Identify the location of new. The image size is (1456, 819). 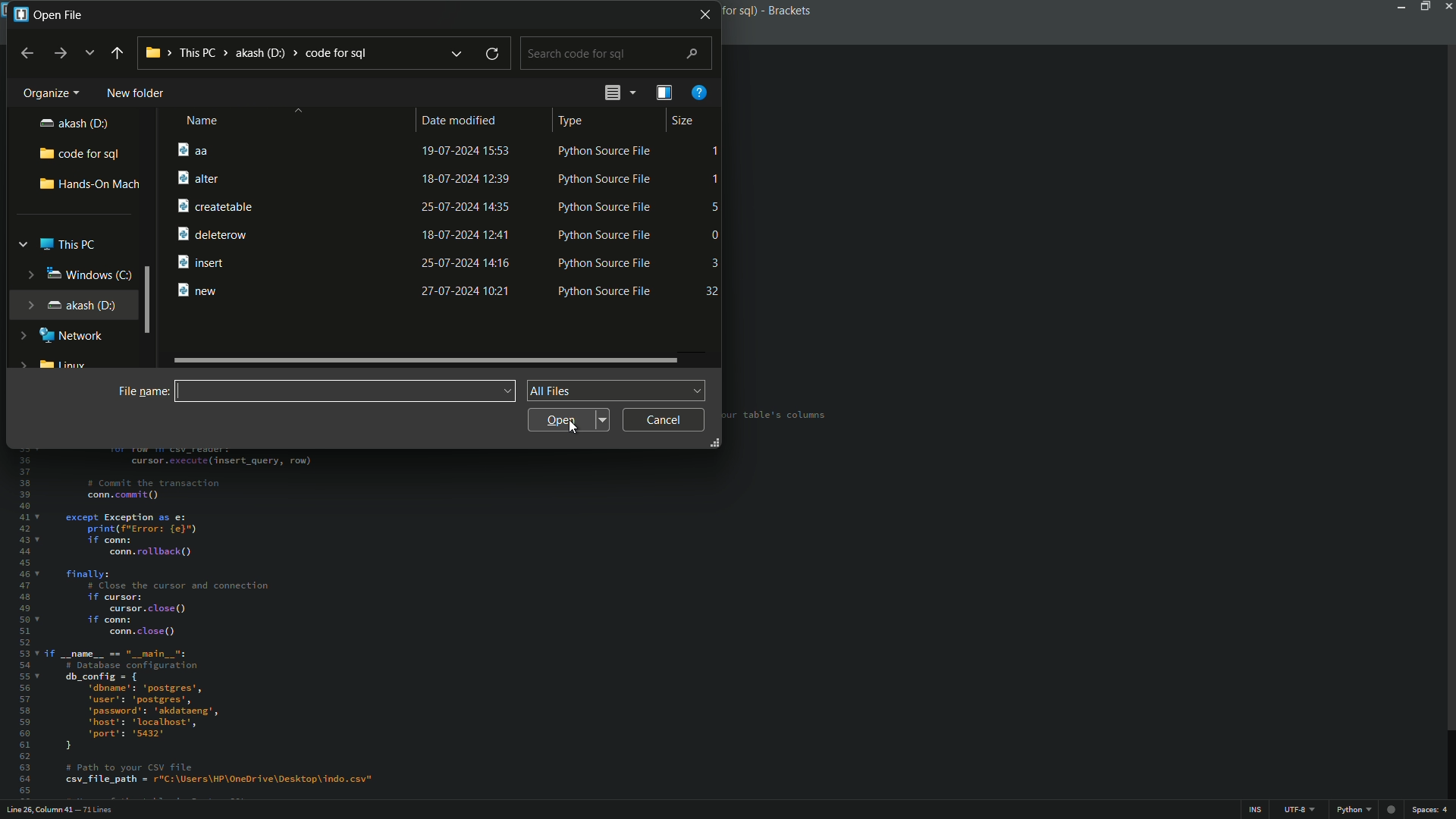
(200, 288).